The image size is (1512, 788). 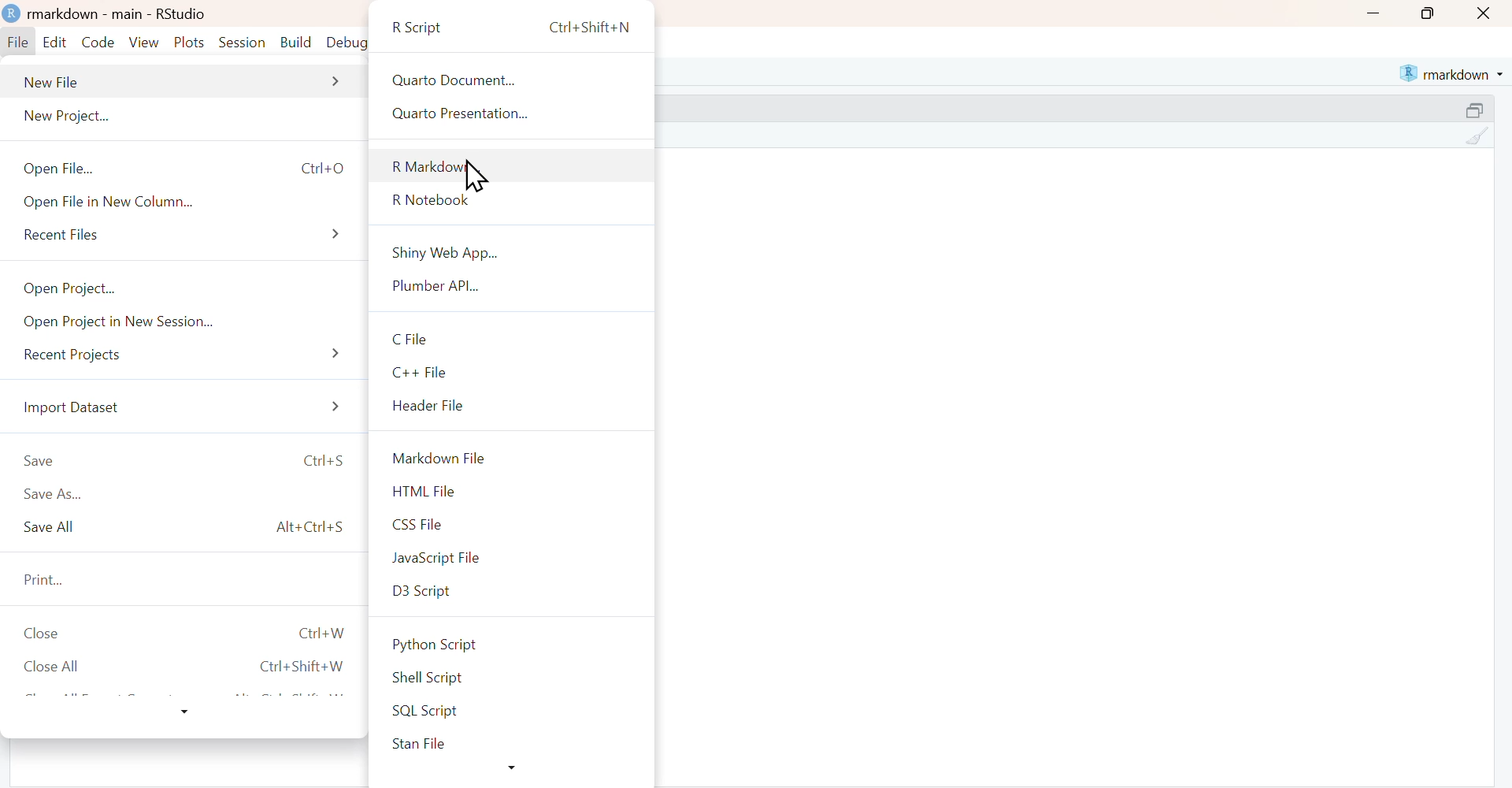 What do you see at coordinates (1451, 73) in the screenshot?
I see `current project - rmarkdown` at bounding box center [1451, 73].